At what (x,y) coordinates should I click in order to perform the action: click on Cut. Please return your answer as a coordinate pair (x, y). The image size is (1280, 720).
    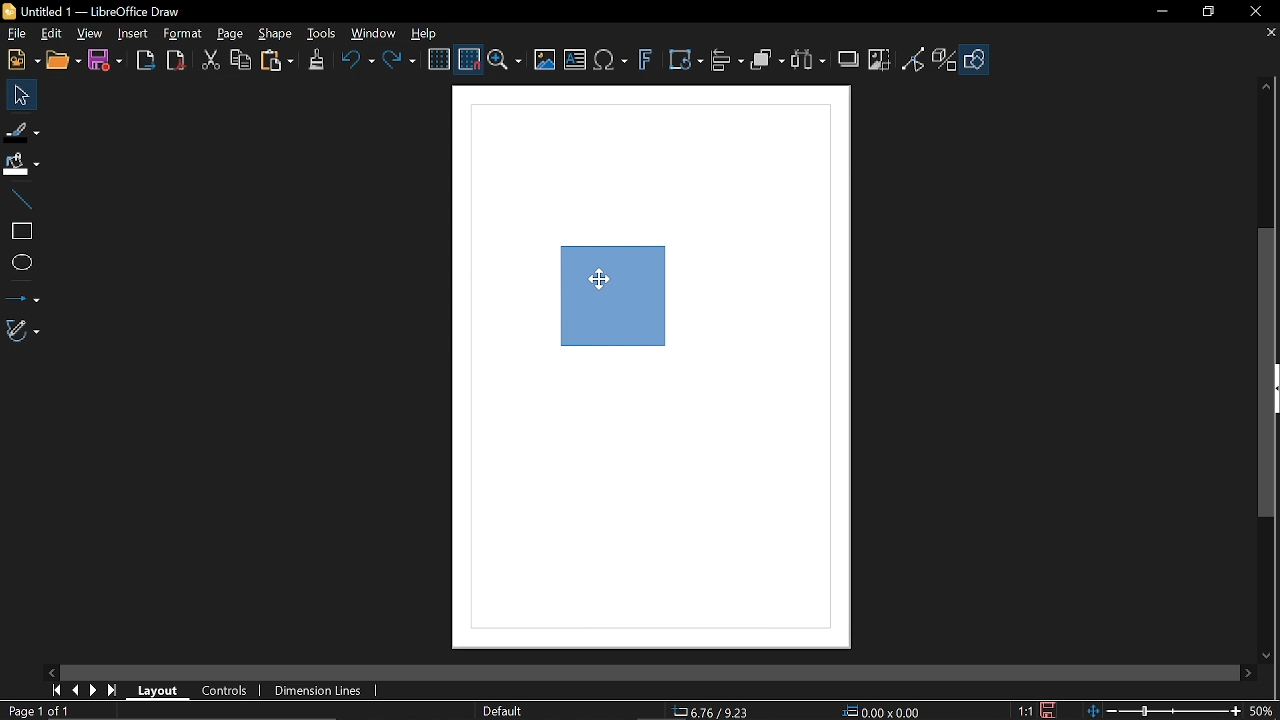
    Looking at the image, I should click on (208, 61).